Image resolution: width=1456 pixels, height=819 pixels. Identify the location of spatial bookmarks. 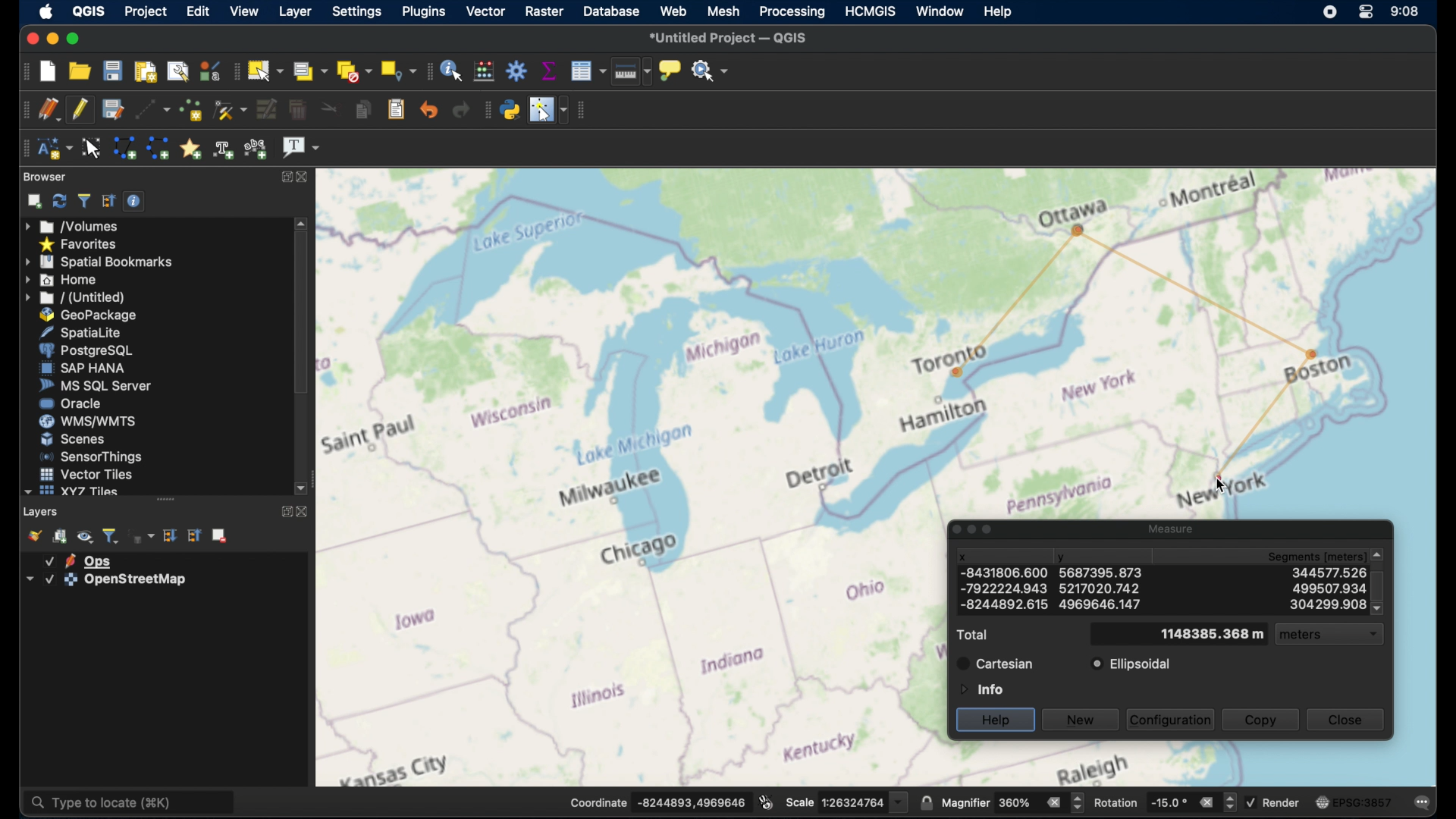
(99, 261).